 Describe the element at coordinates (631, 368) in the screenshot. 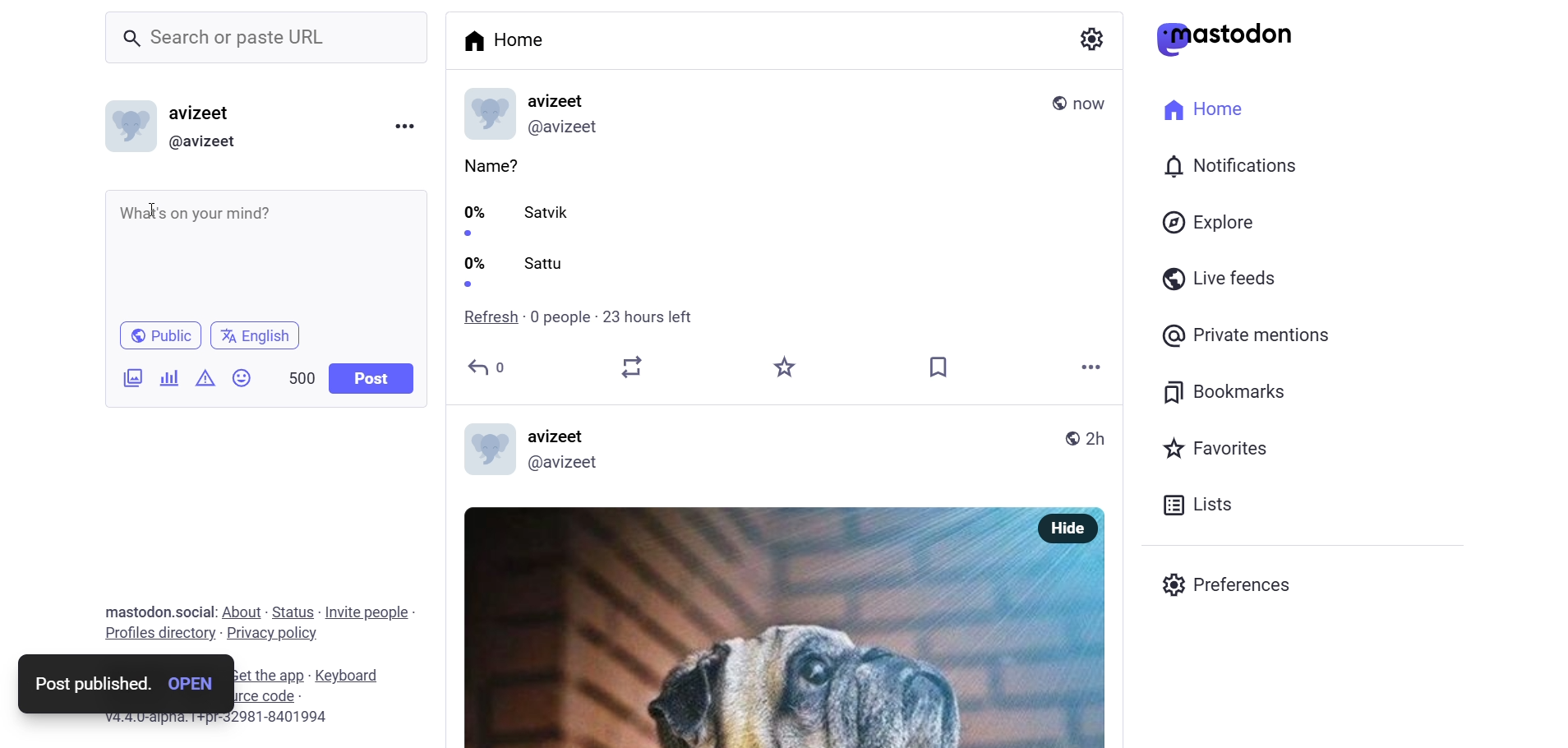

I see `boost` at that location.